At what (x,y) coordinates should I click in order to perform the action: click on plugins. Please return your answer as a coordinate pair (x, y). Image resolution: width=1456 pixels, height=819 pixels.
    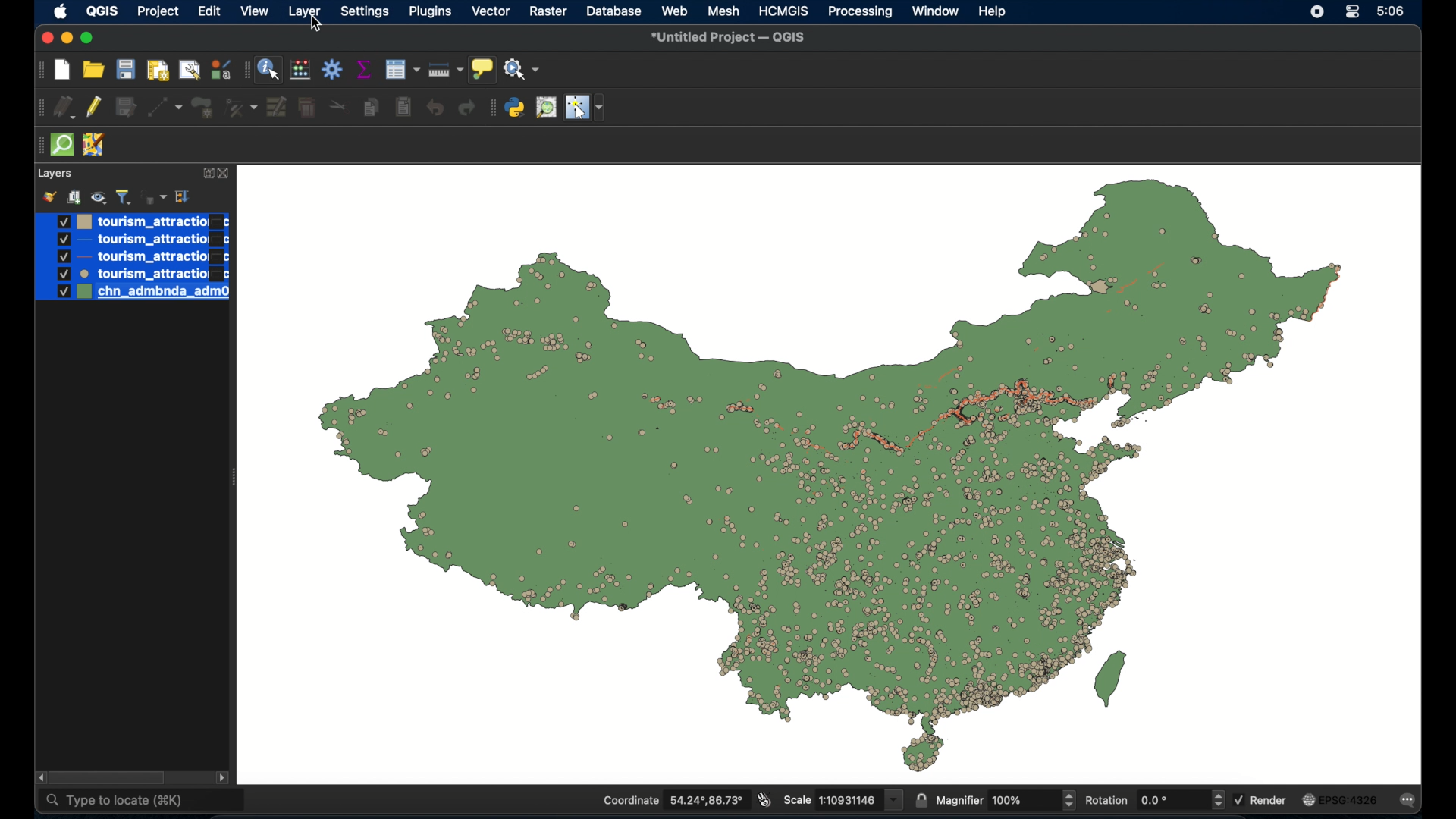
    Looking at the image, I should click on (432, 12).